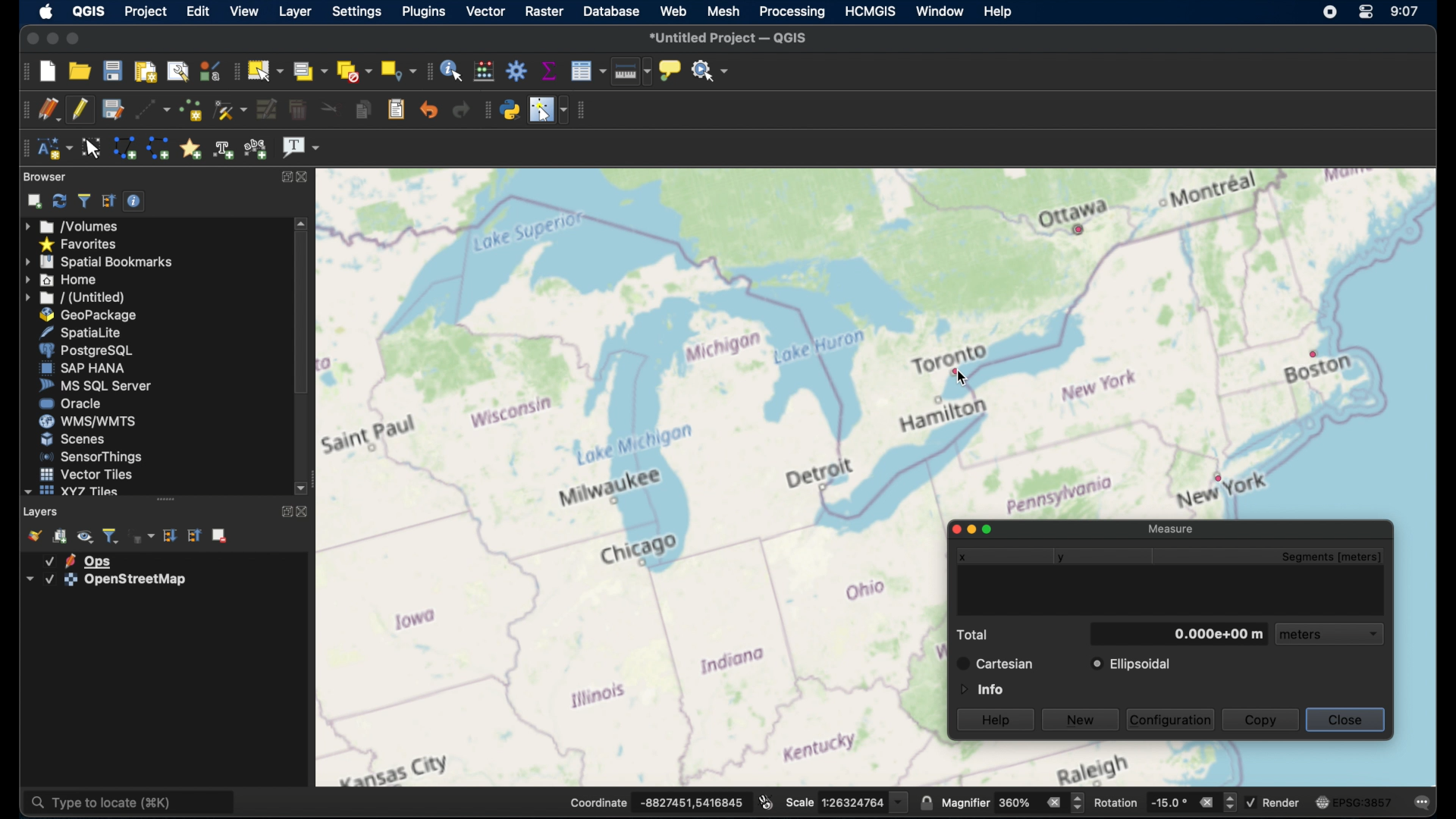 Image resolution: width=1456 pixels, height=819 pixels. I want to click on undo, so click(429, 110).